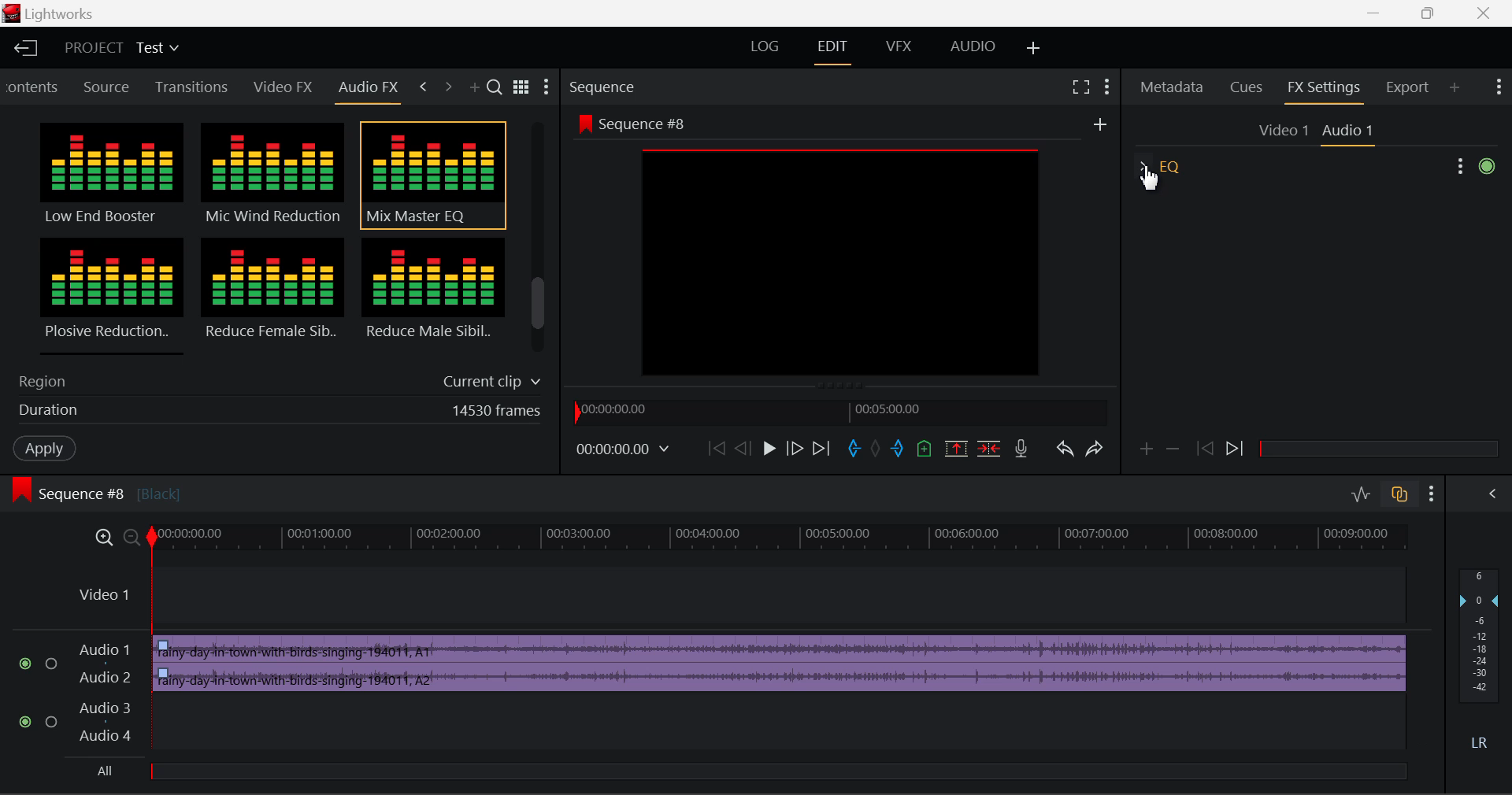  Describe the element at coordinates (524, 85) in the screenshot. I see `Toggle between title and list view` at that location.